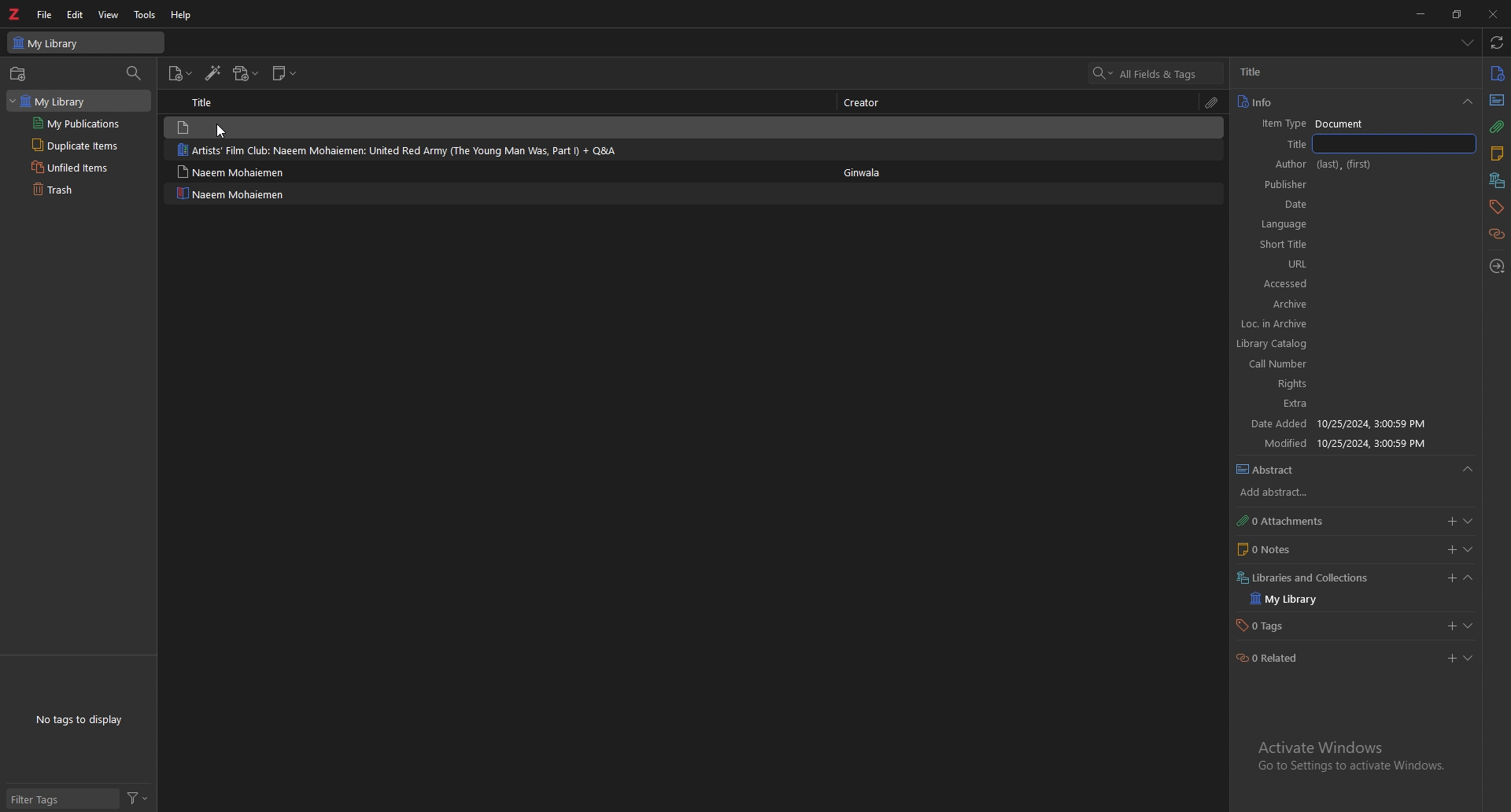 This screenshot has height=812, width=1511. Describe the element at coordinates (57, 100) in the screenshot. I see `library` at that location.